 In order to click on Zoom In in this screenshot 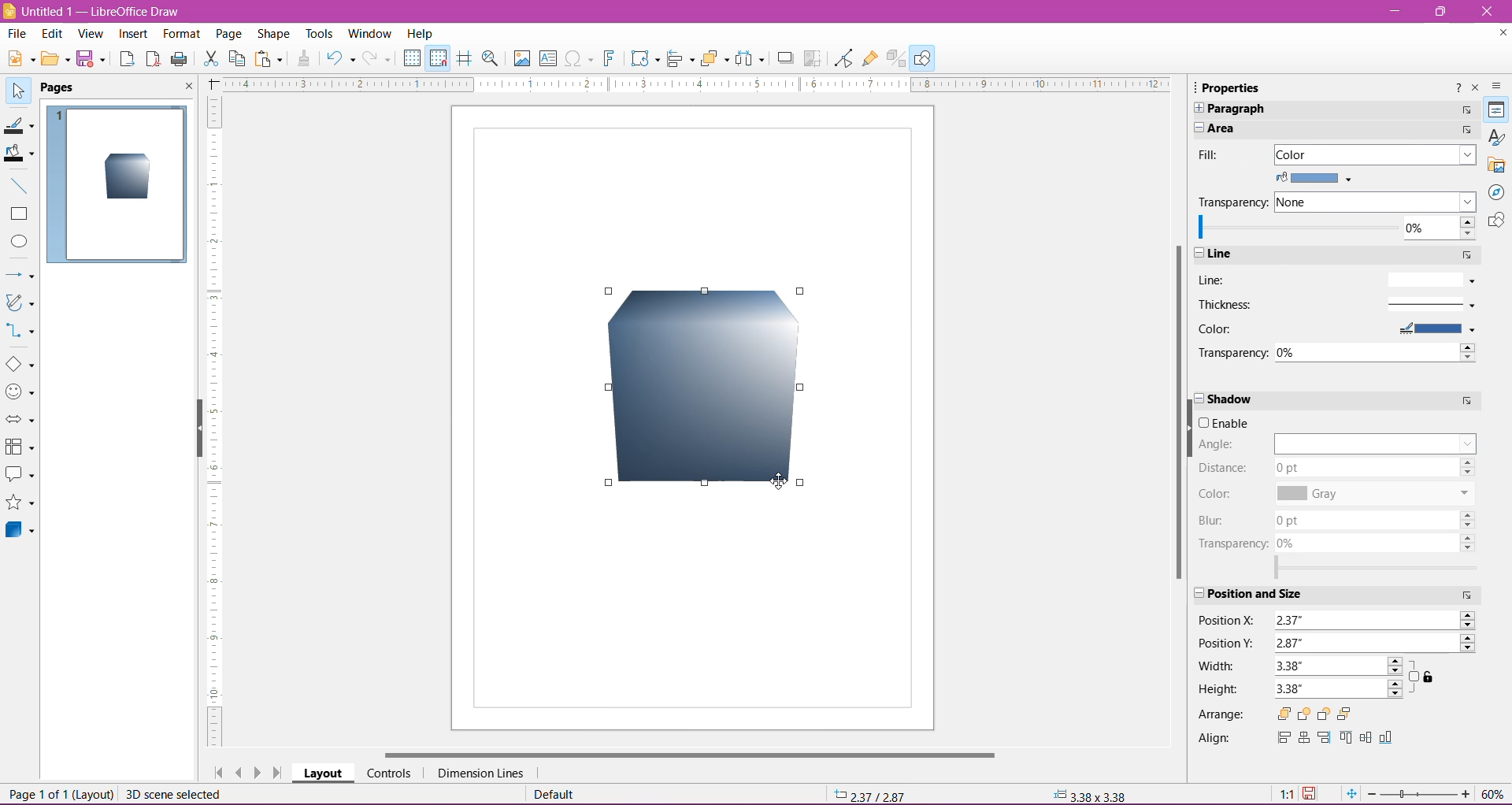, I will do `click(1466, 793)`.